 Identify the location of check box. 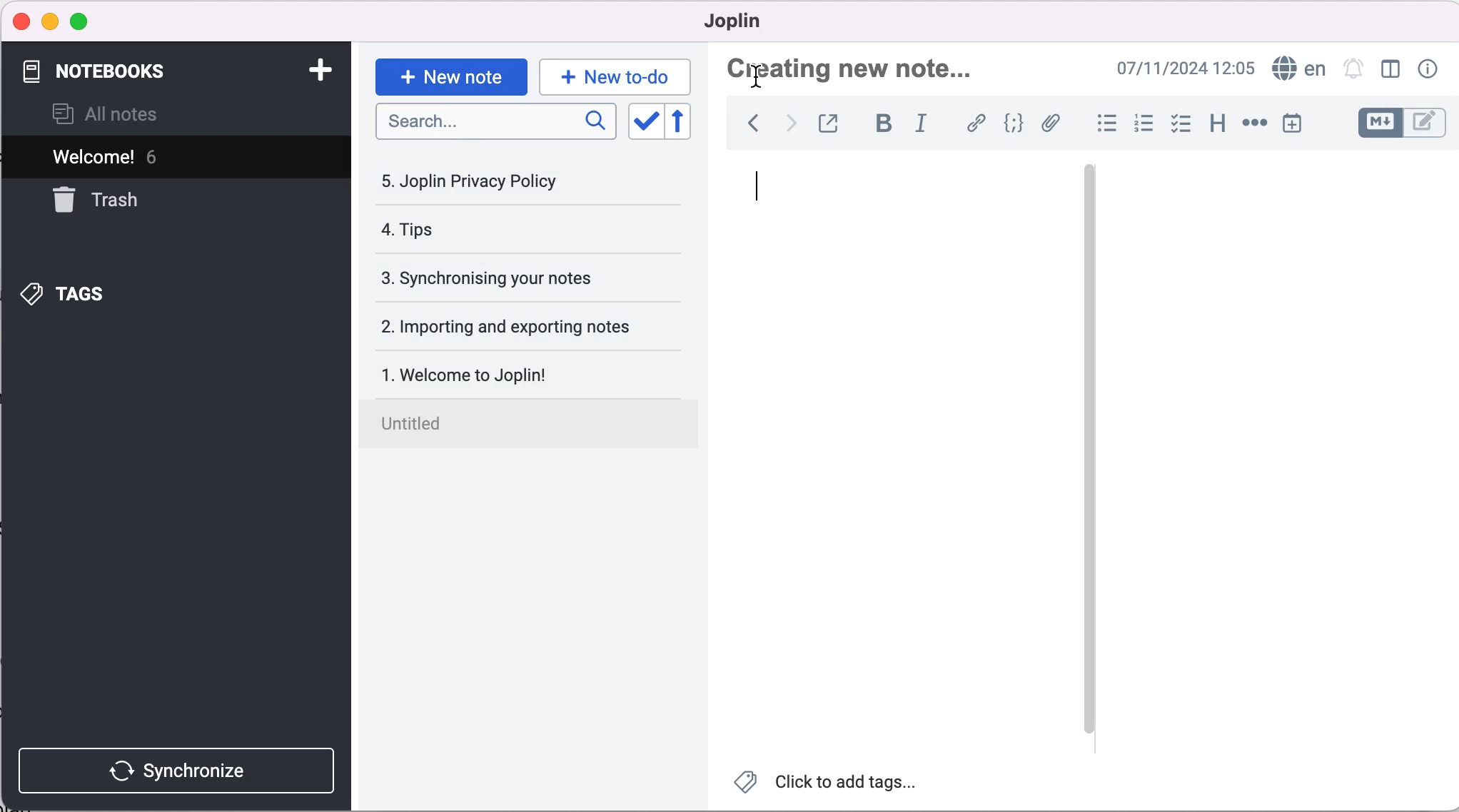
(1176, 123).